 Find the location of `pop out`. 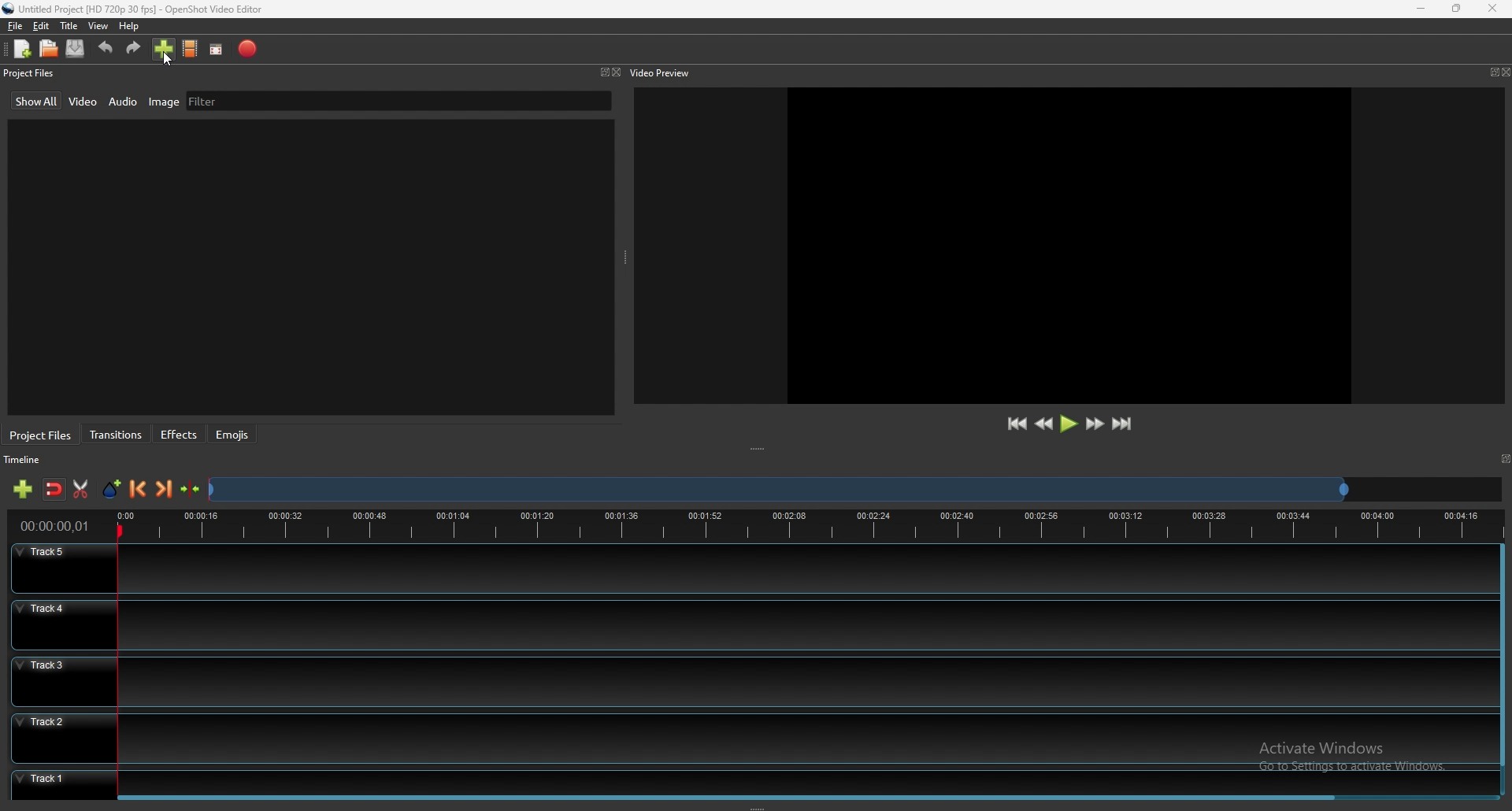

pop out is located at coordinates (602, 73).